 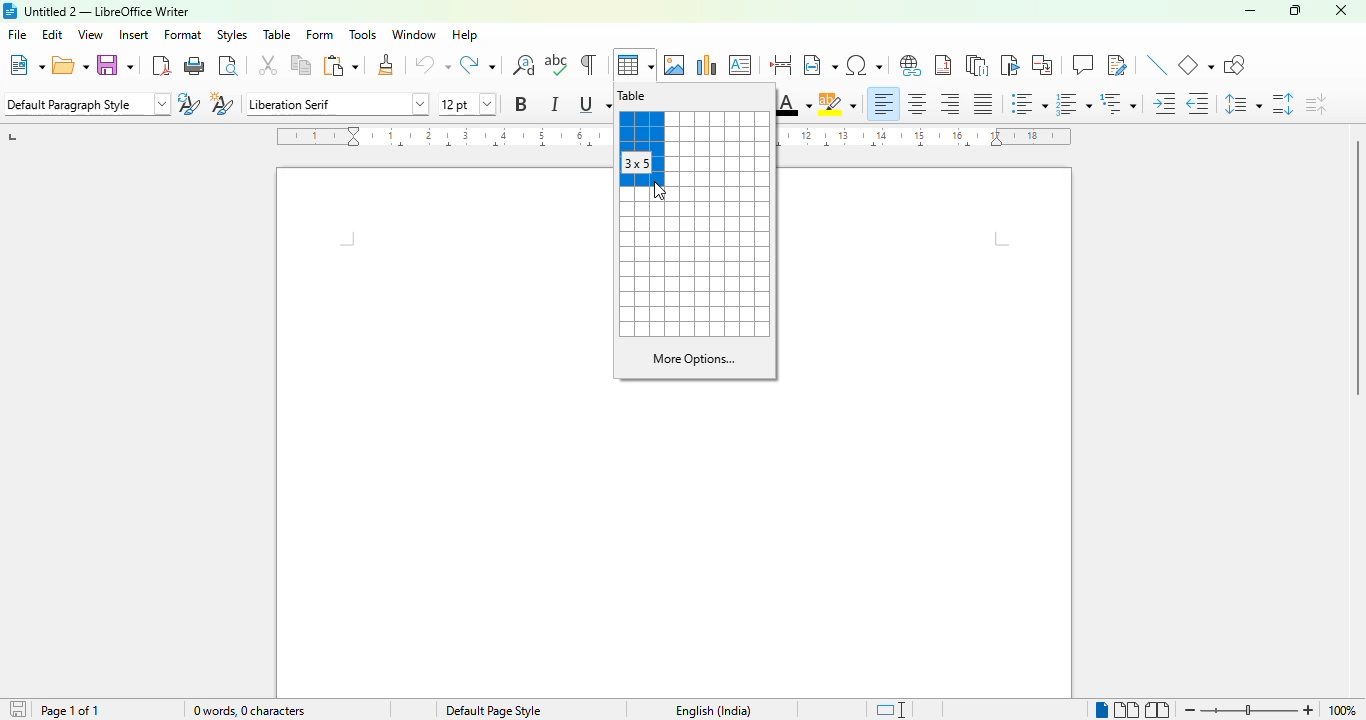 I want to click on font size, so click(x=466, y=104).